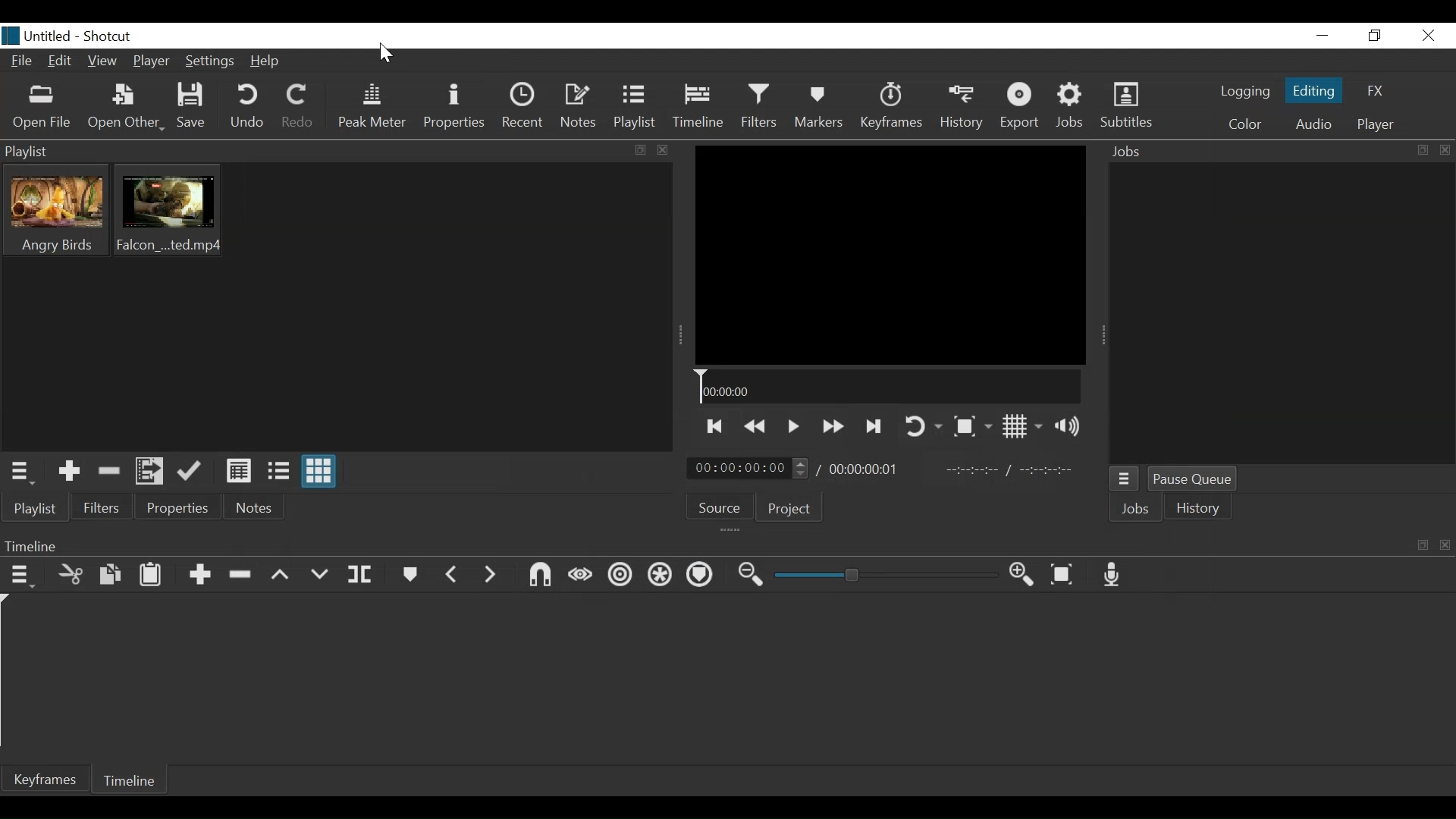  Describe the element at coordinates (256, 507) in the screenshot. I see `Notes` at that location.